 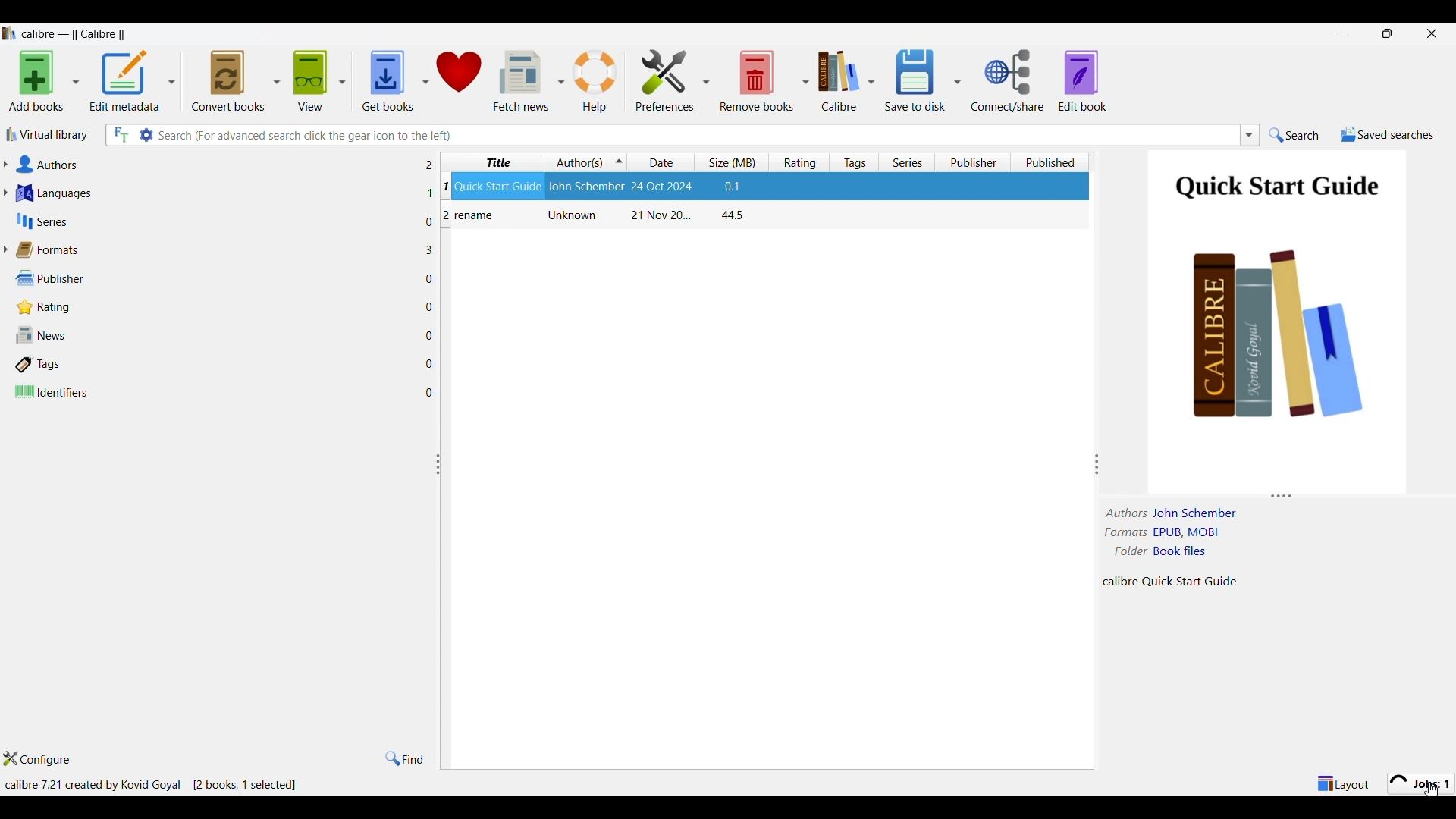 I want to click on Change width of panels attached to this line, so click(x=1097, y=437).